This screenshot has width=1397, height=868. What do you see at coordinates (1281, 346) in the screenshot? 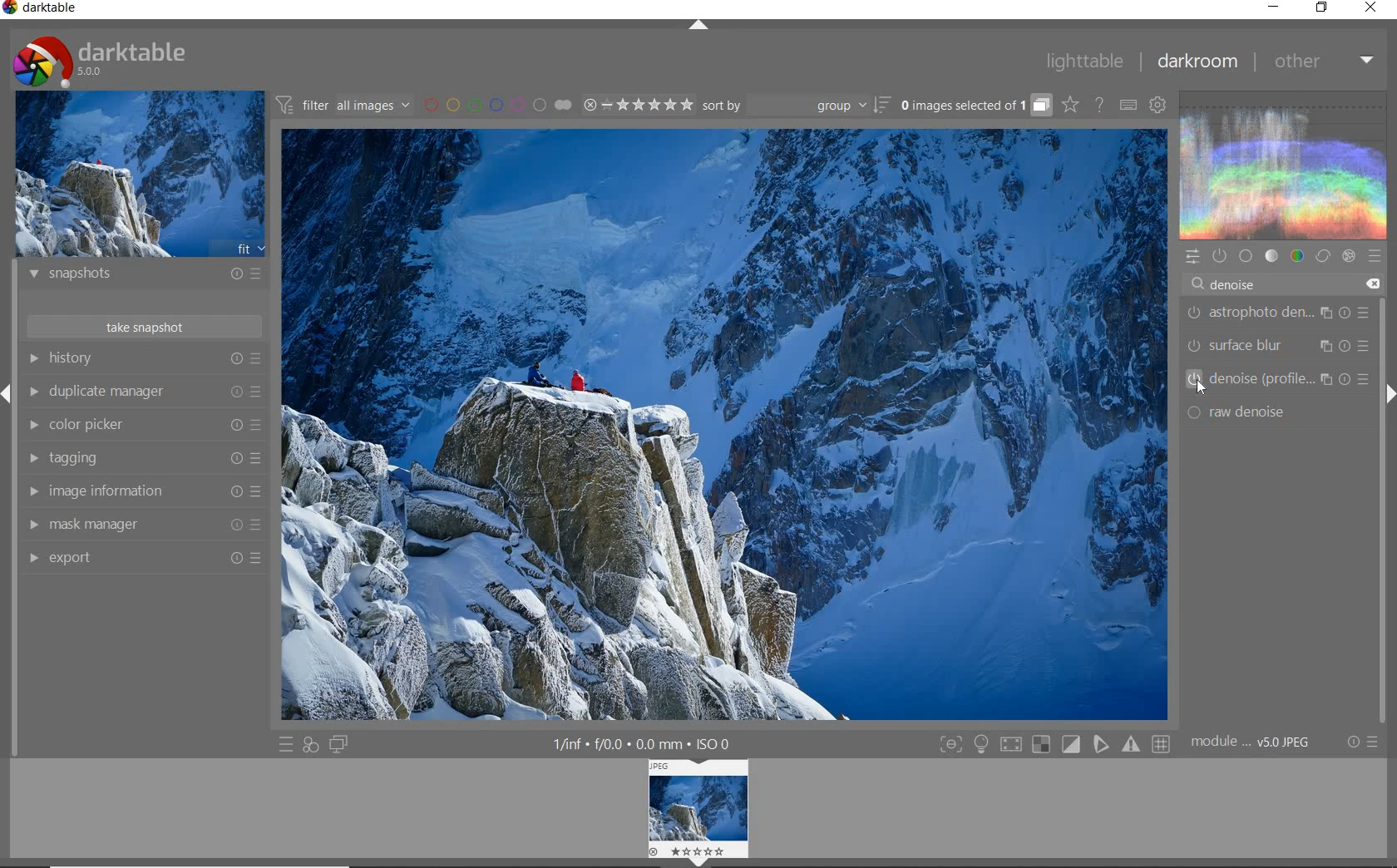
I see `surface blur` at bounding box center [1281, 346].